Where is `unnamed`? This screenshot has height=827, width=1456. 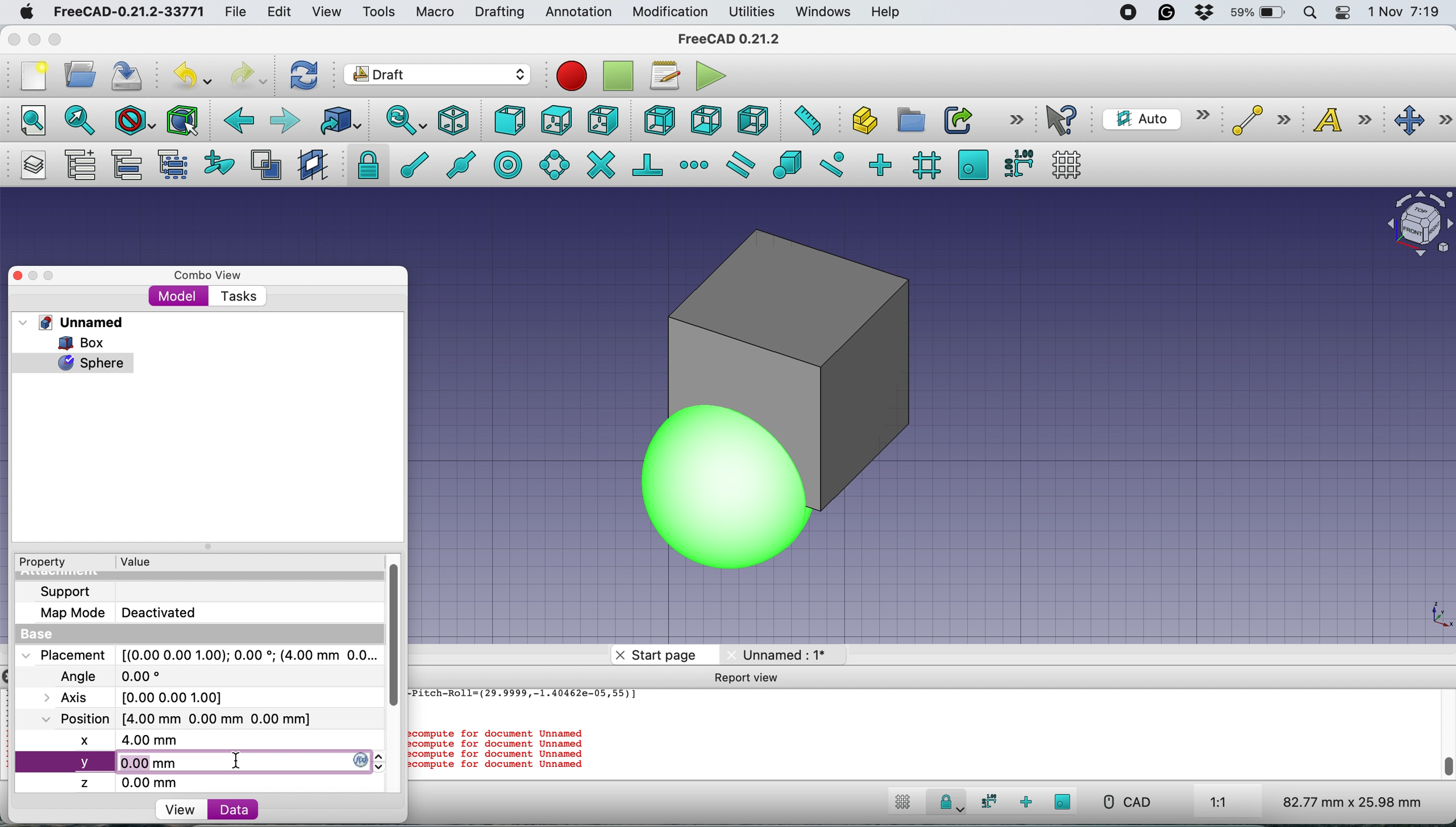
unnamed is located at coordinates (778, 653).